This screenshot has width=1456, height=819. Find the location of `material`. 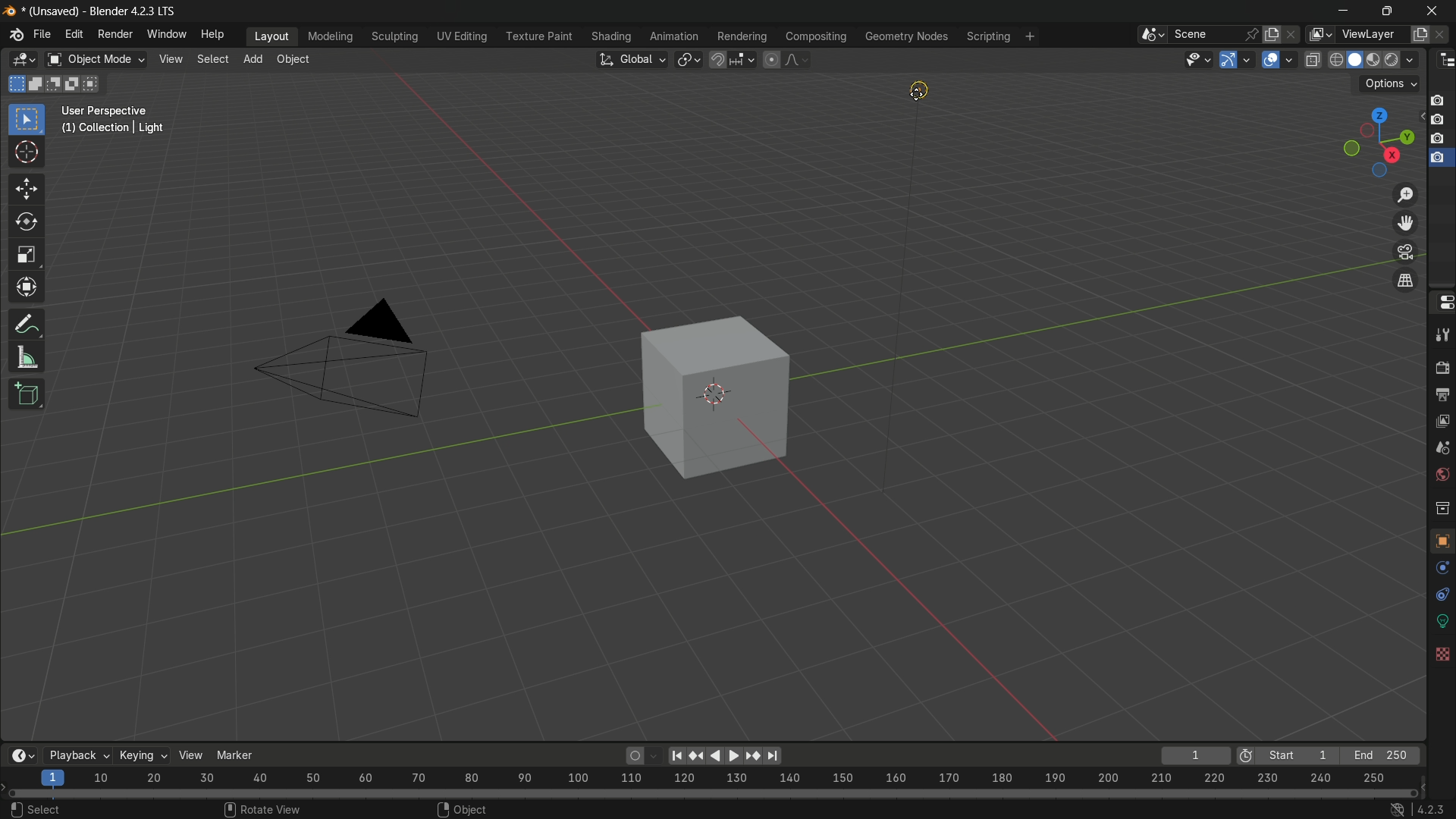

material is located at coordinates (1439, 702).